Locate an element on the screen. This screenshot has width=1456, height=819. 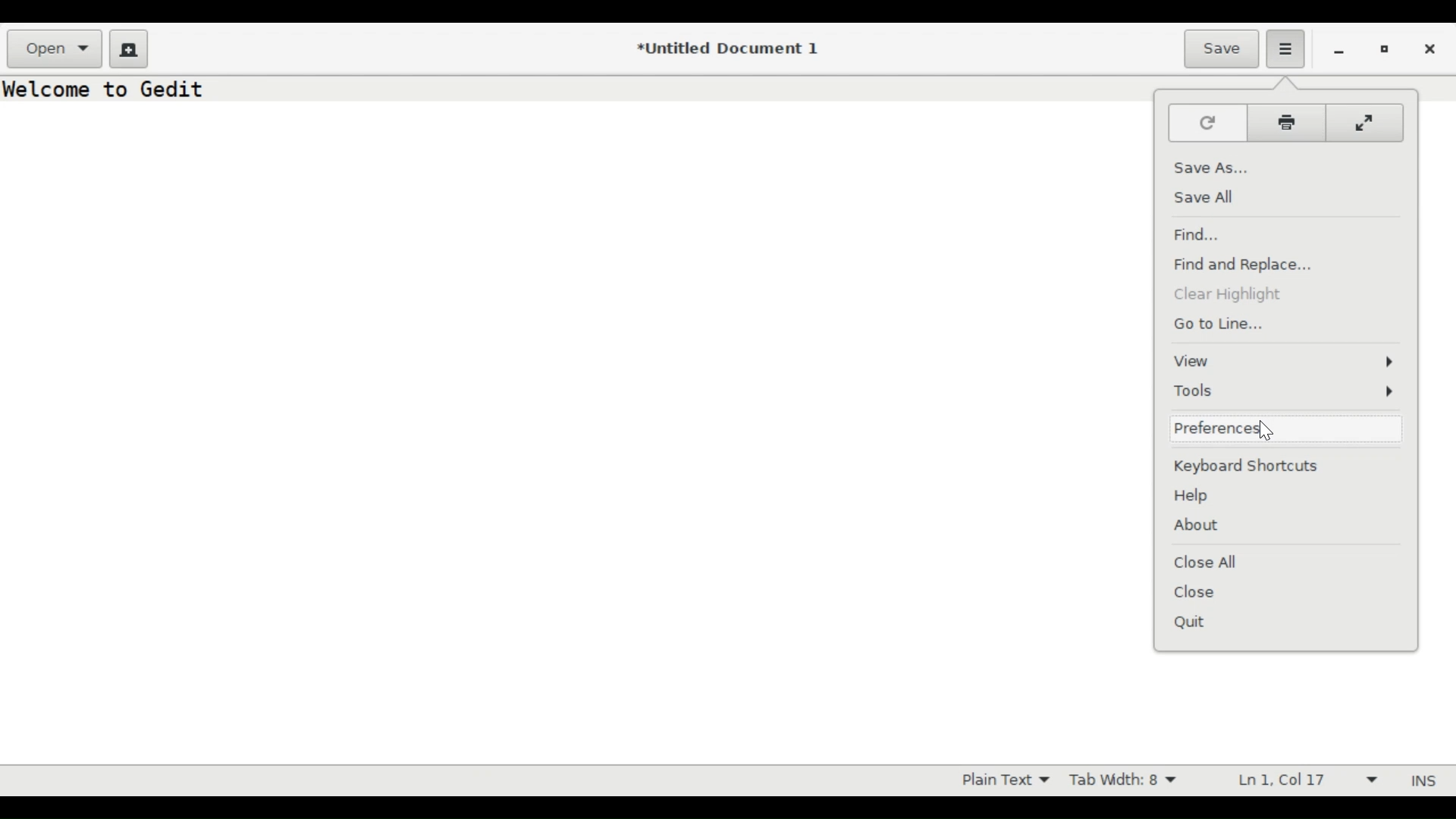
*Untitled Document 1 is located at coordinates (728, 50).